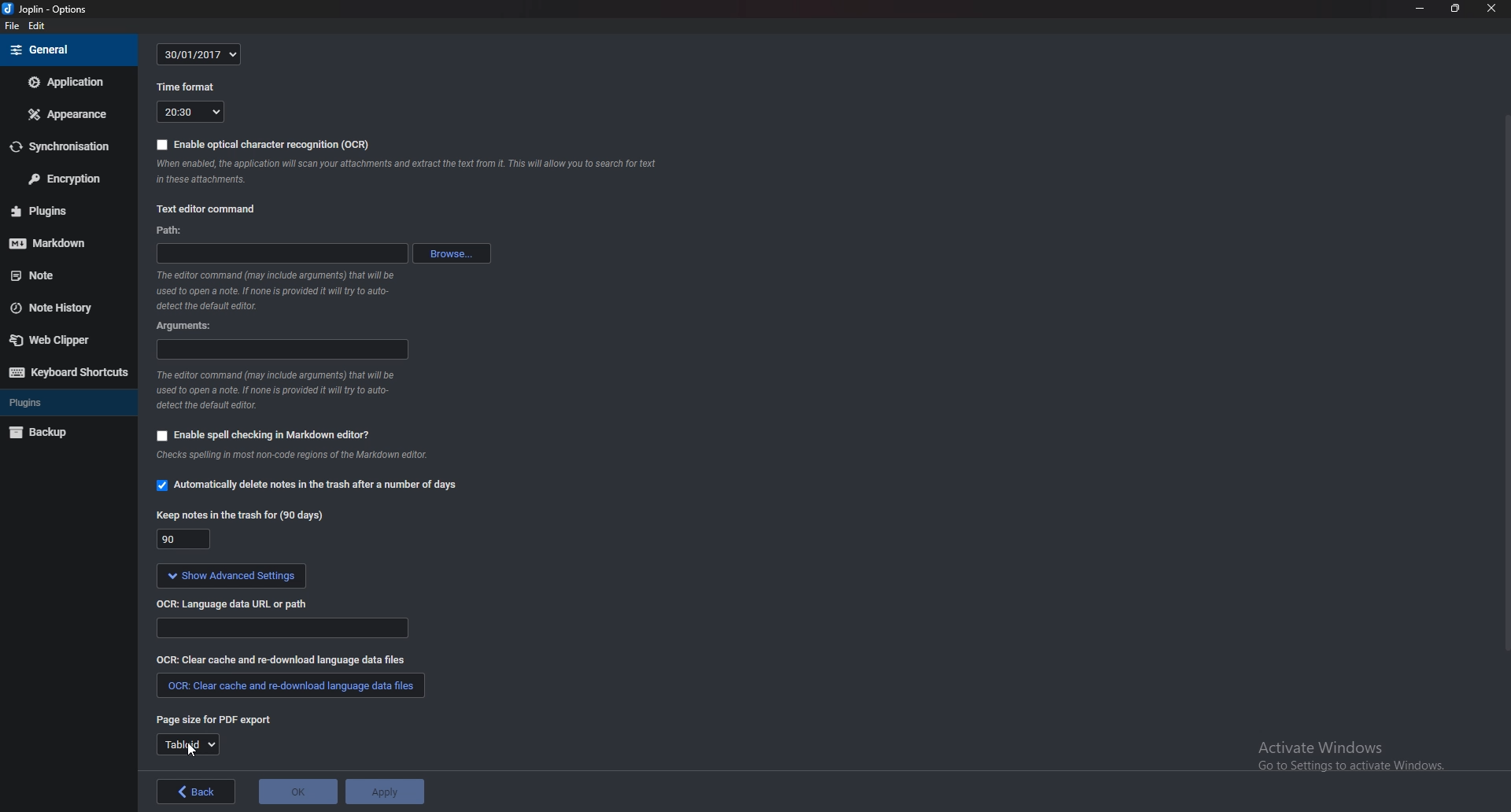 The image size is (1511, 812). I want to click on edit, so click(39, 26).